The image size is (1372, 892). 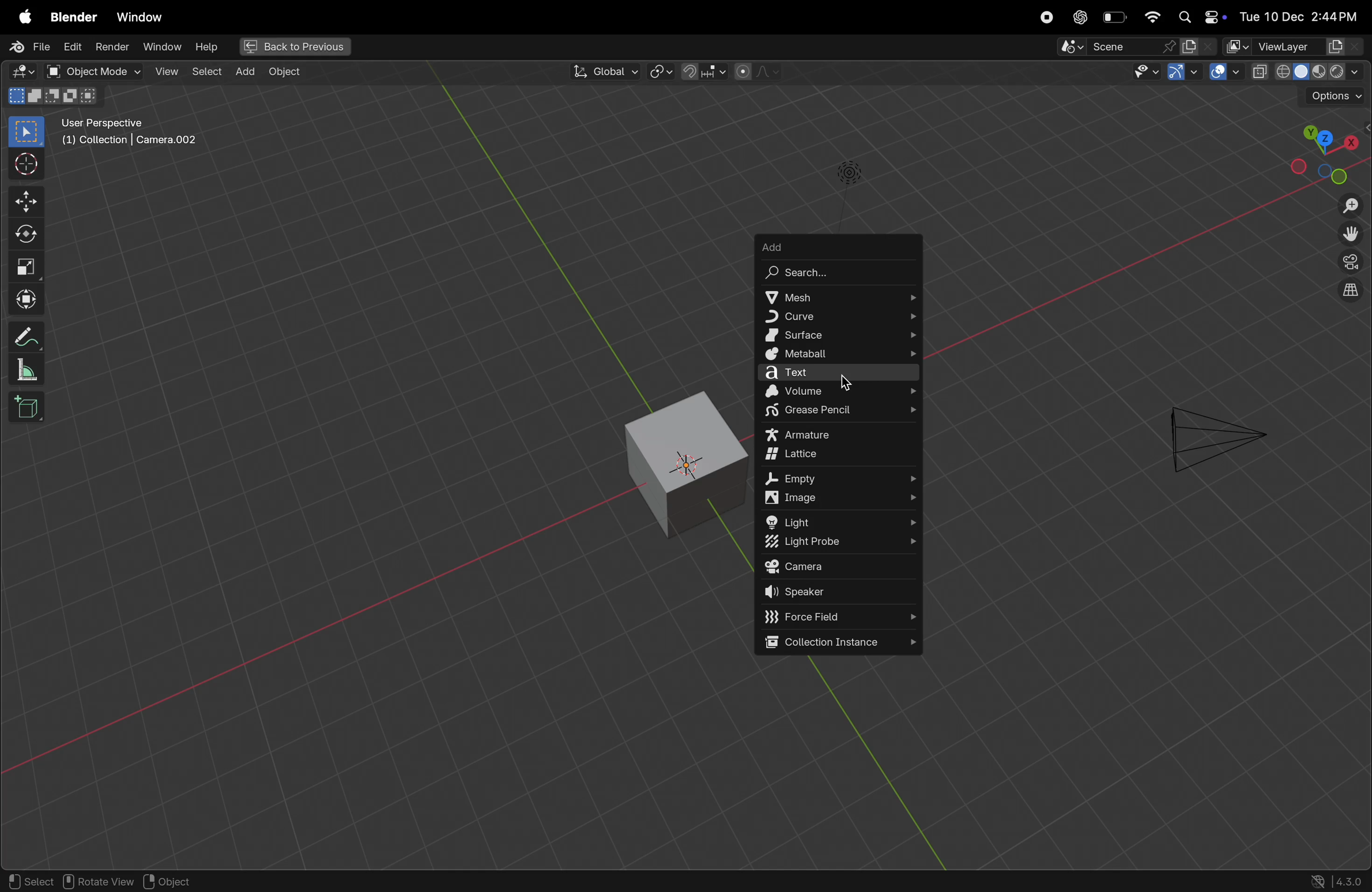 I want to click on apple widgets, so click(x=1198, y=16).